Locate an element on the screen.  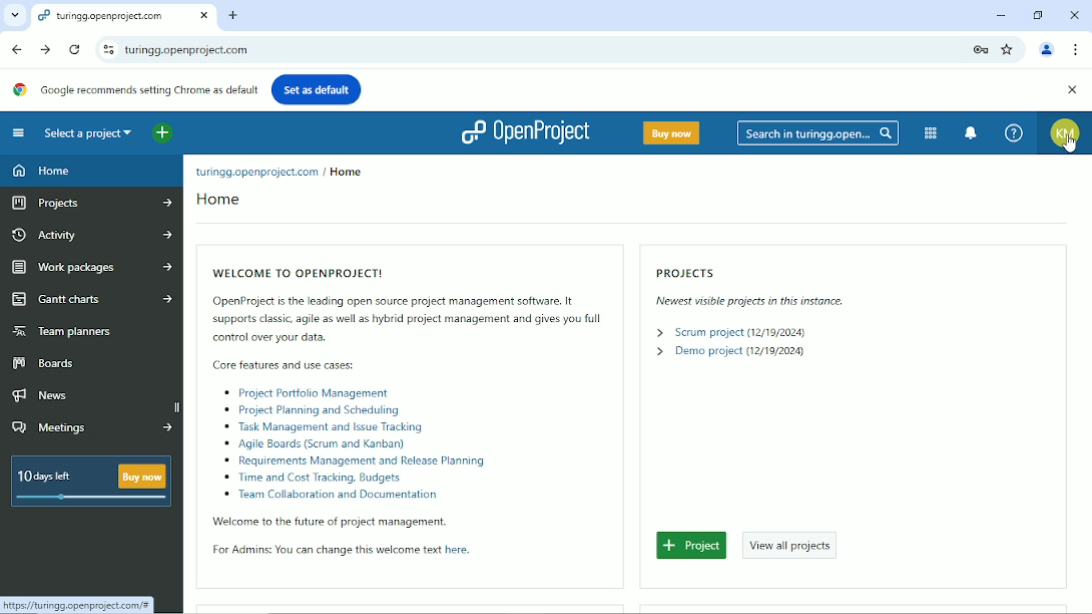
Collapse project menu is located at coordinates (18, 133).